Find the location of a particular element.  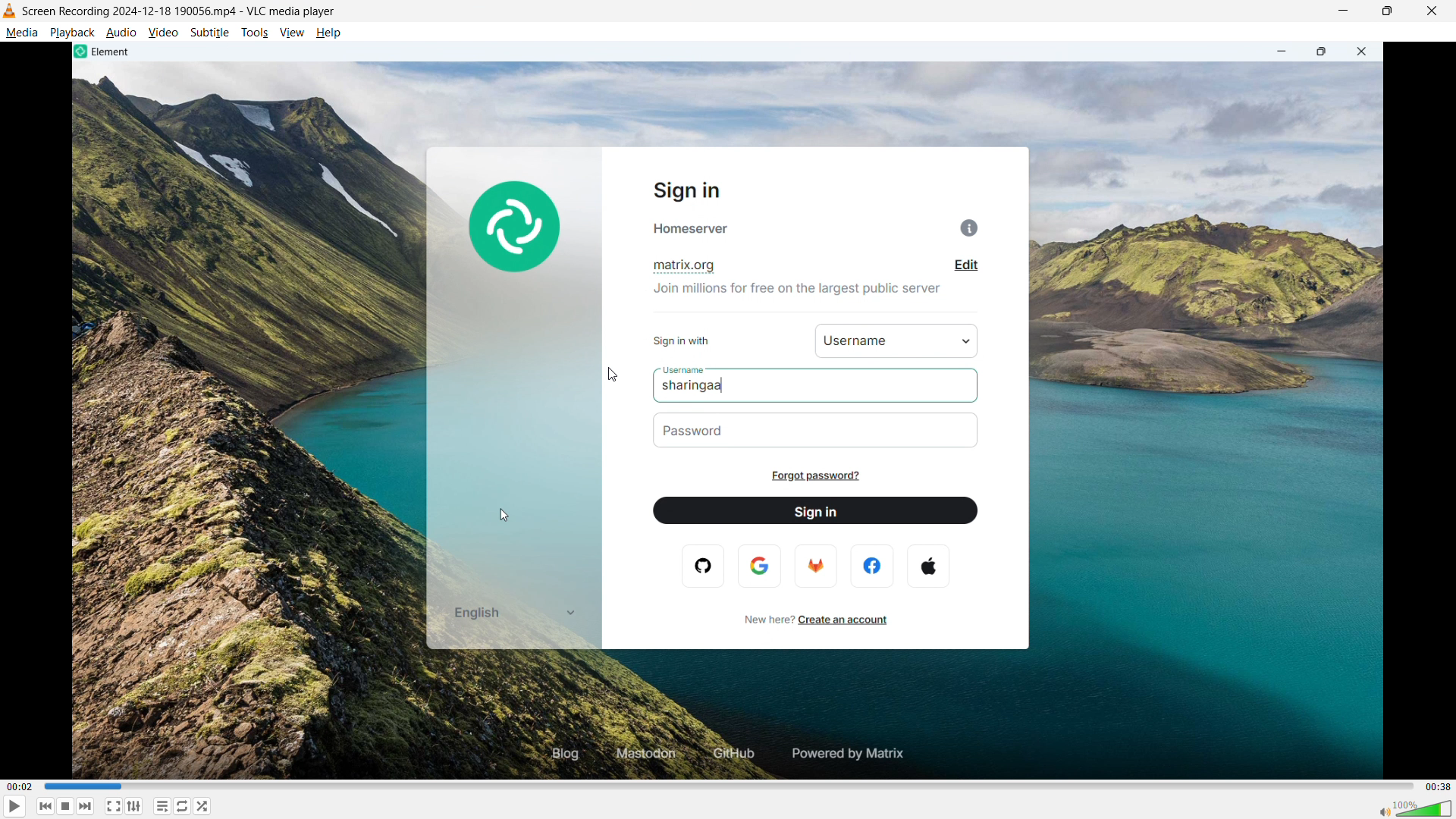

shuffle is located at coordinates (205, 806).